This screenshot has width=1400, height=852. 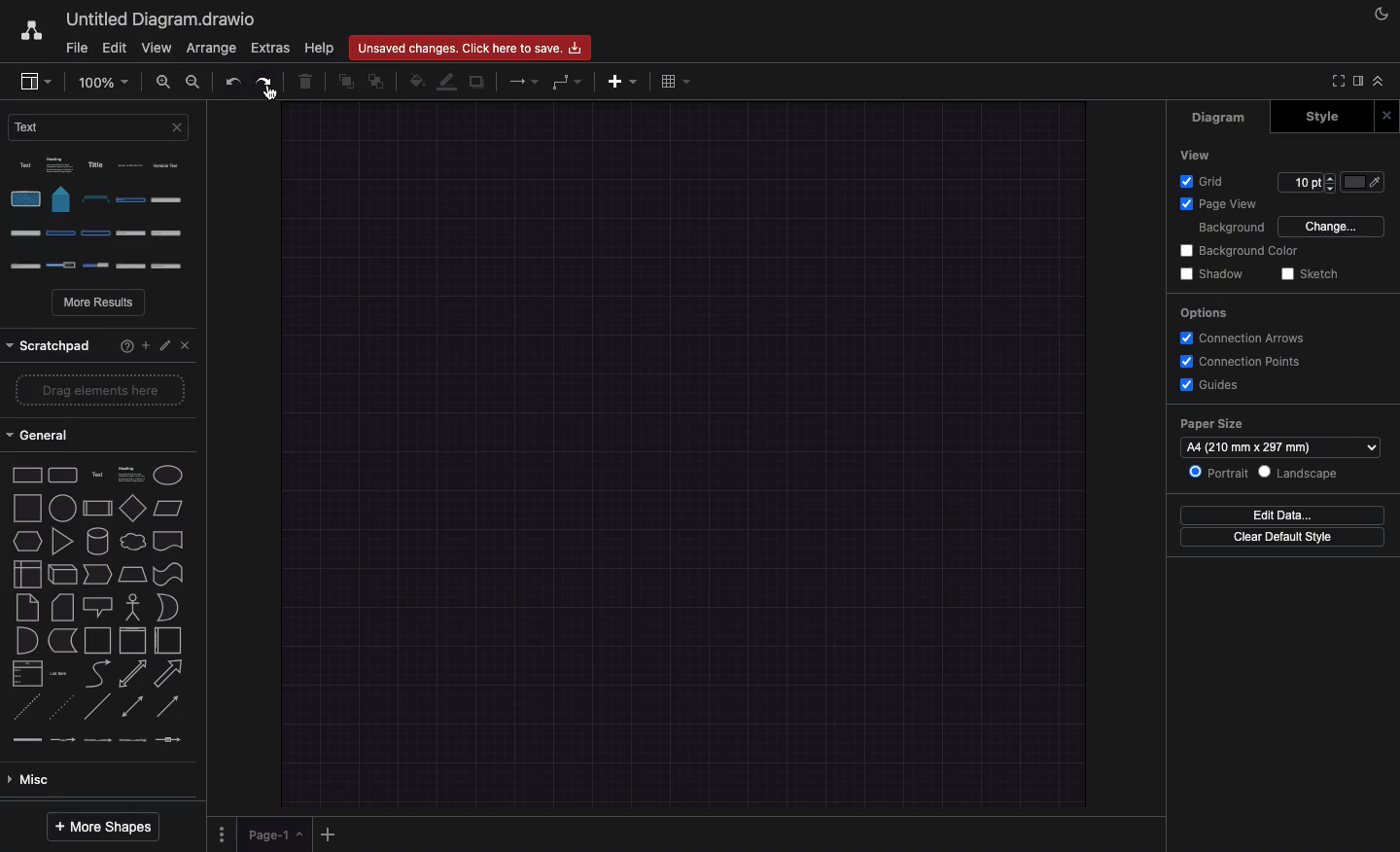 I want to click on Sketch, so click(x=1313, y=272).